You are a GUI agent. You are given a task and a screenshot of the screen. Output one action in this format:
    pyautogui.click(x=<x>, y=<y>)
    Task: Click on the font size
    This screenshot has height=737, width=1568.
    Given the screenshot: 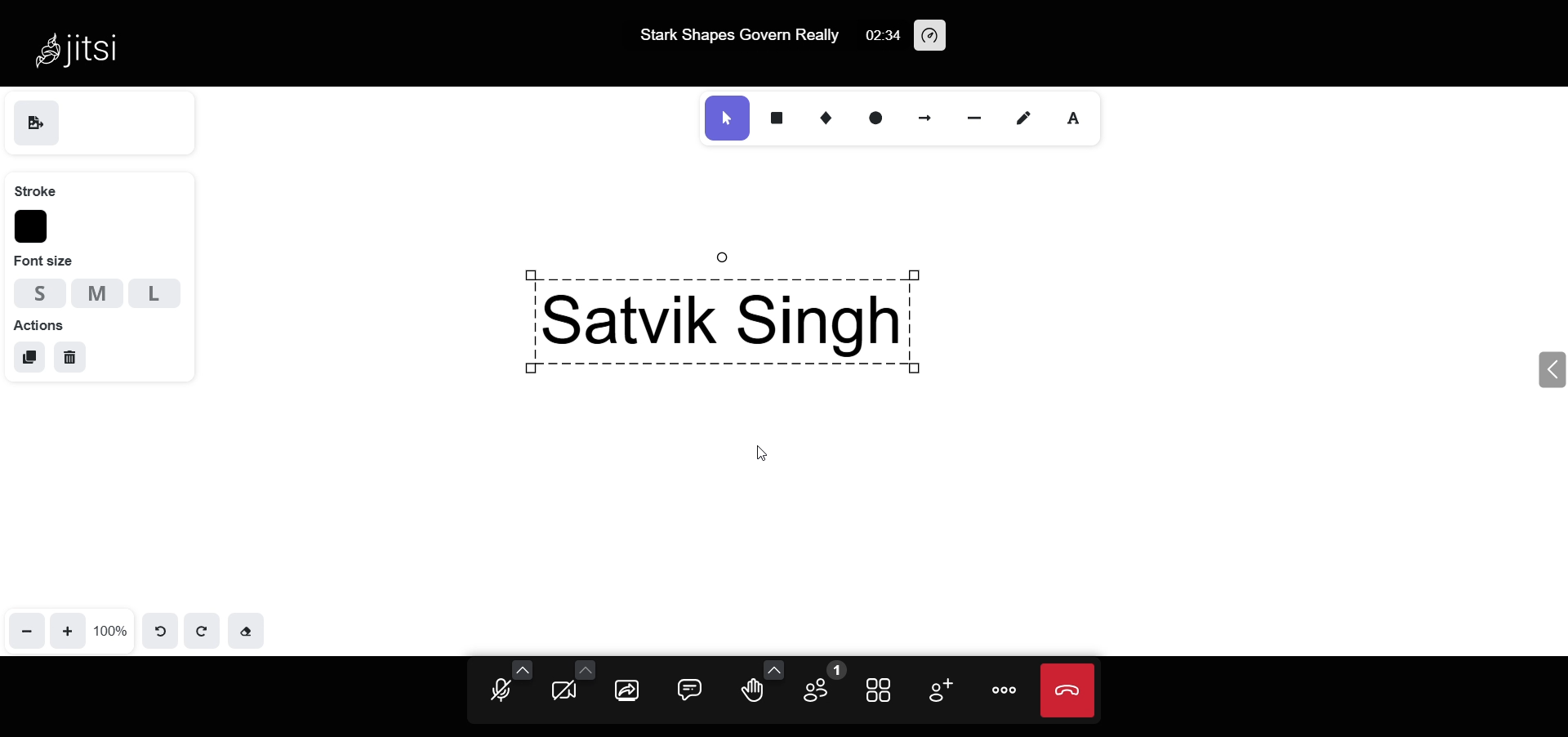 What is the action you would take?
    pyautogui.click(x=45, y=261)
    